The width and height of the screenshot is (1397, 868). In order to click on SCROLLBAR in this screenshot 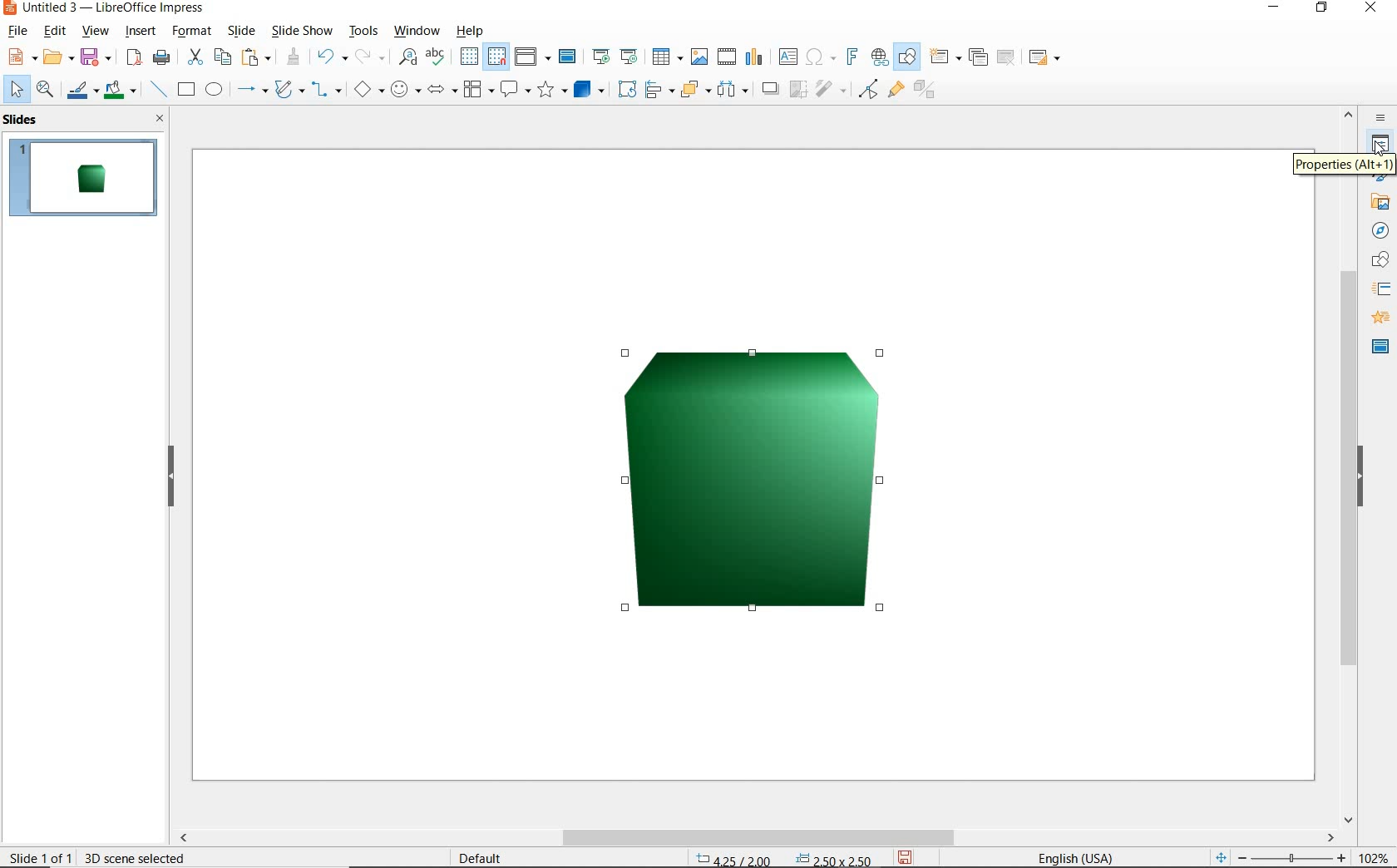, I will do `click(1348, 502)`.